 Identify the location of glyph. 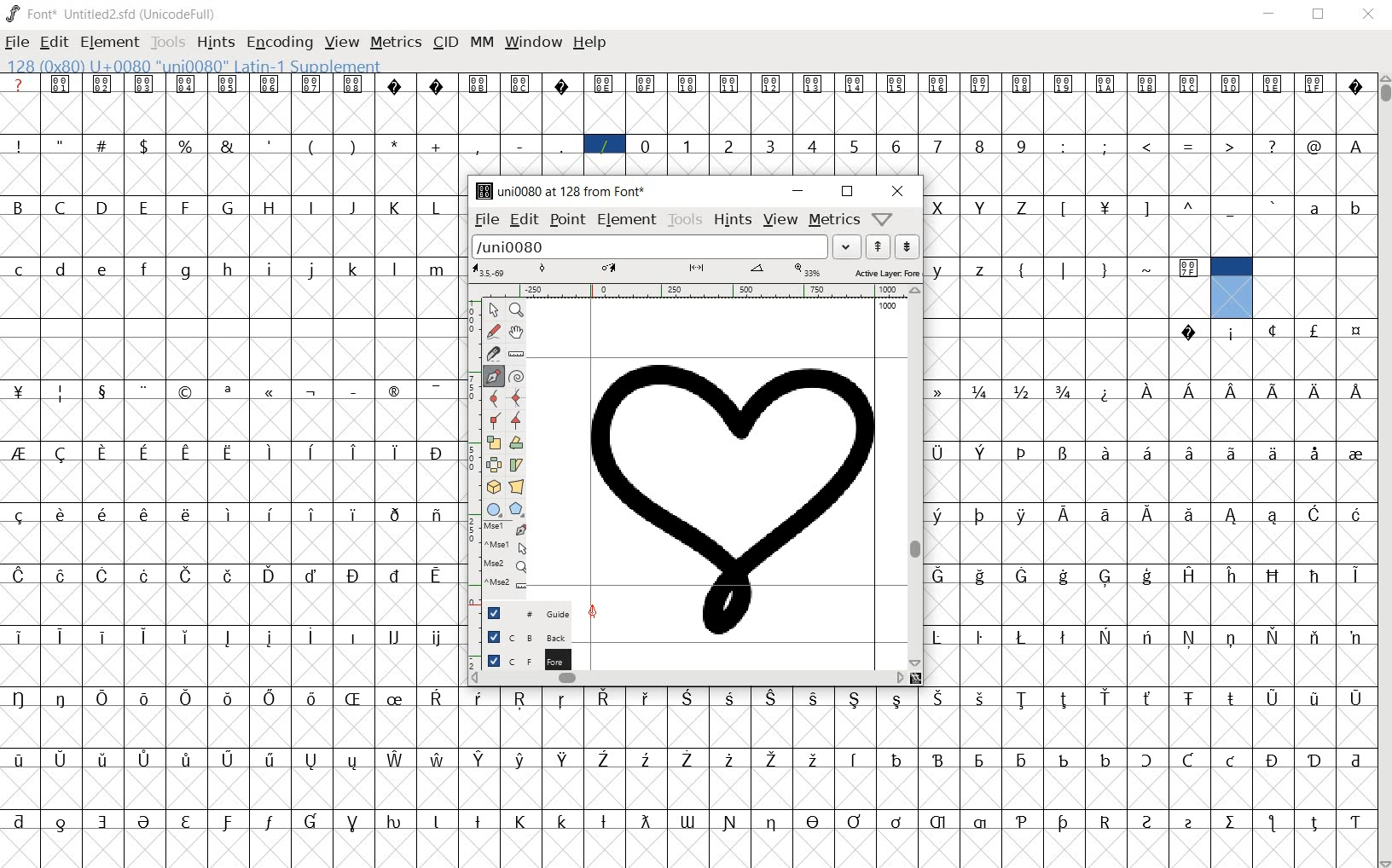
(937, 822).